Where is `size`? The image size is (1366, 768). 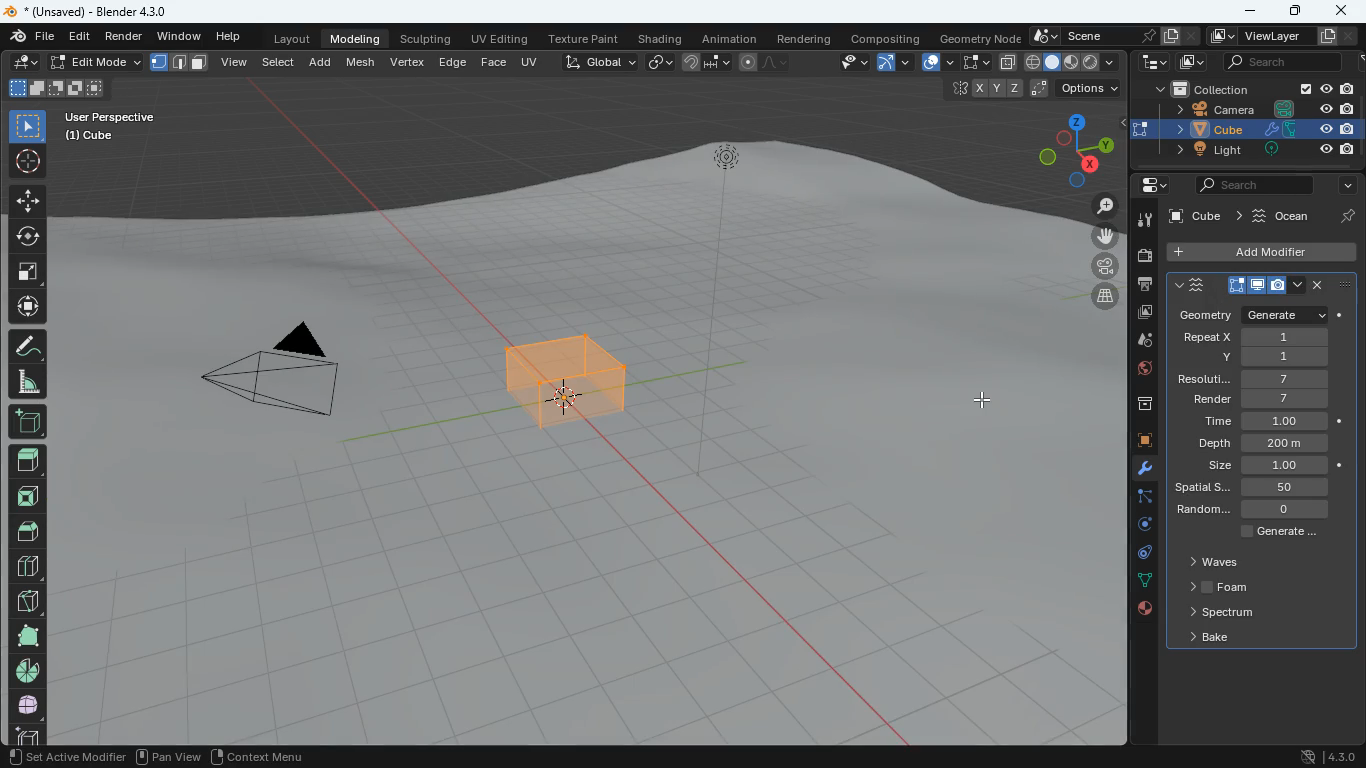 size is located at coordinates (1269, 466).